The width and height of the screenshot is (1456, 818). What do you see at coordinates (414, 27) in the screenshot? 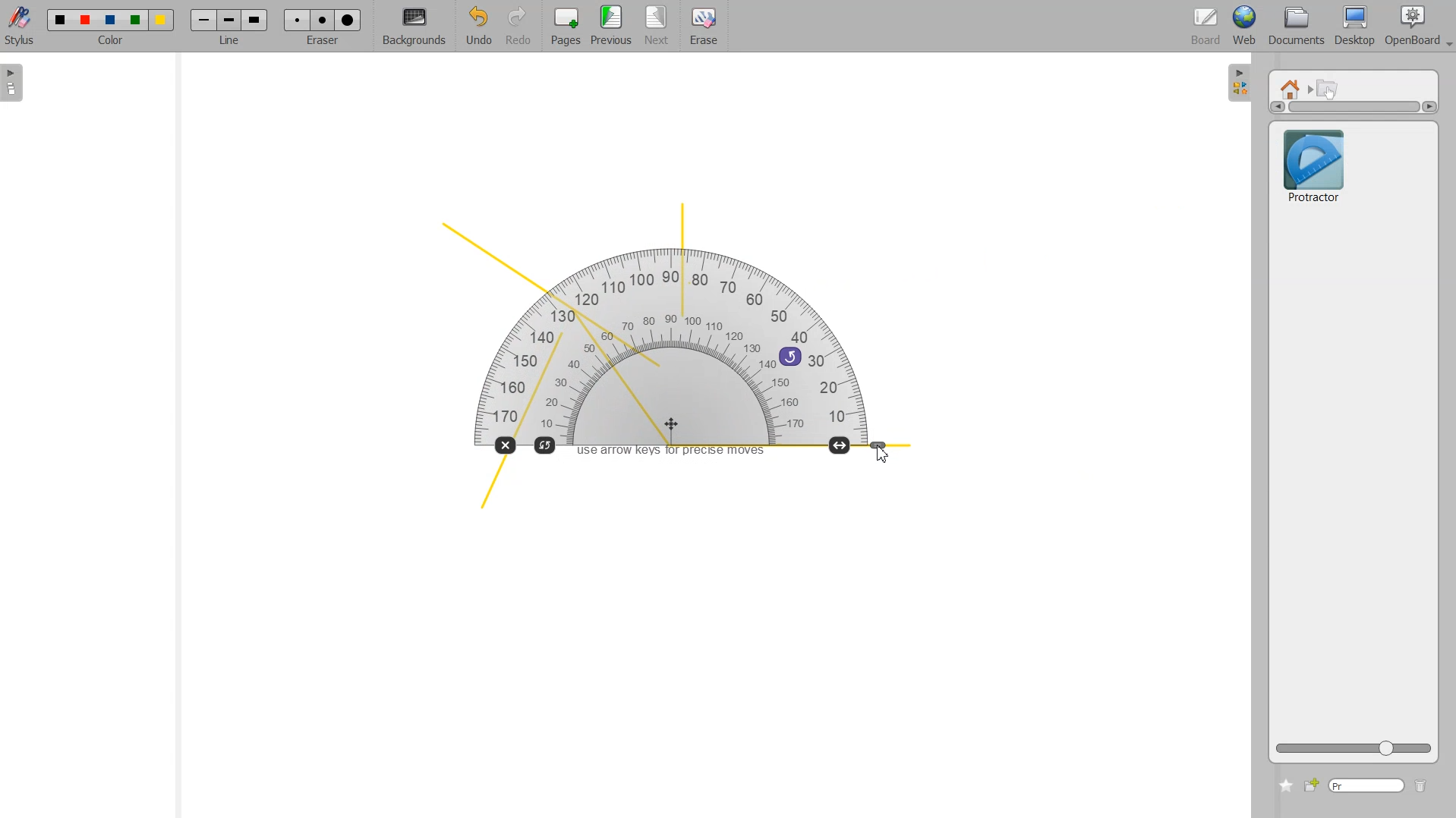
I see `Background` at bounding box center [414, 27].